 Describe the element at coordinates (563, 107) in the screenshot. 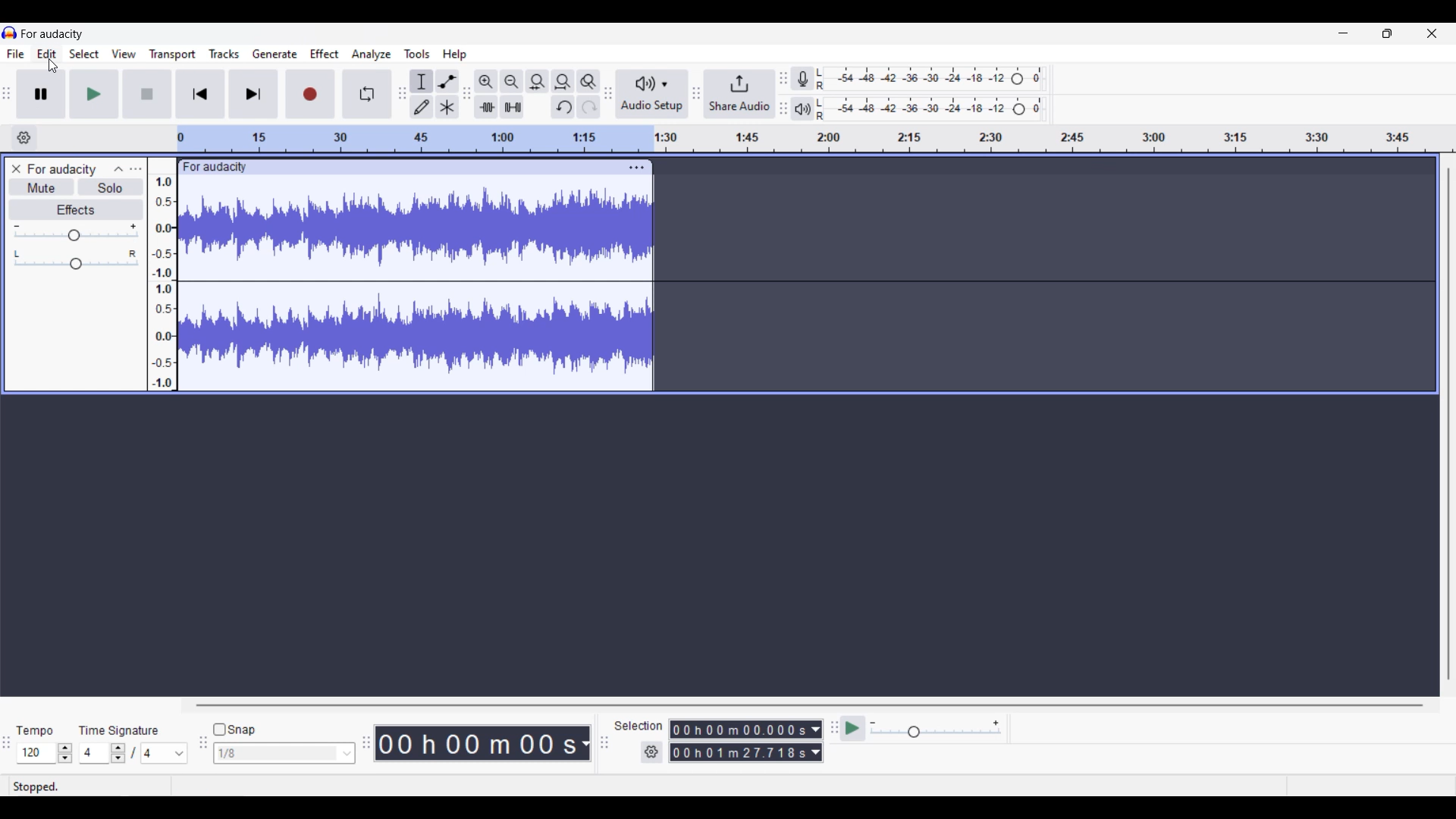

I see `Undo` at that location.